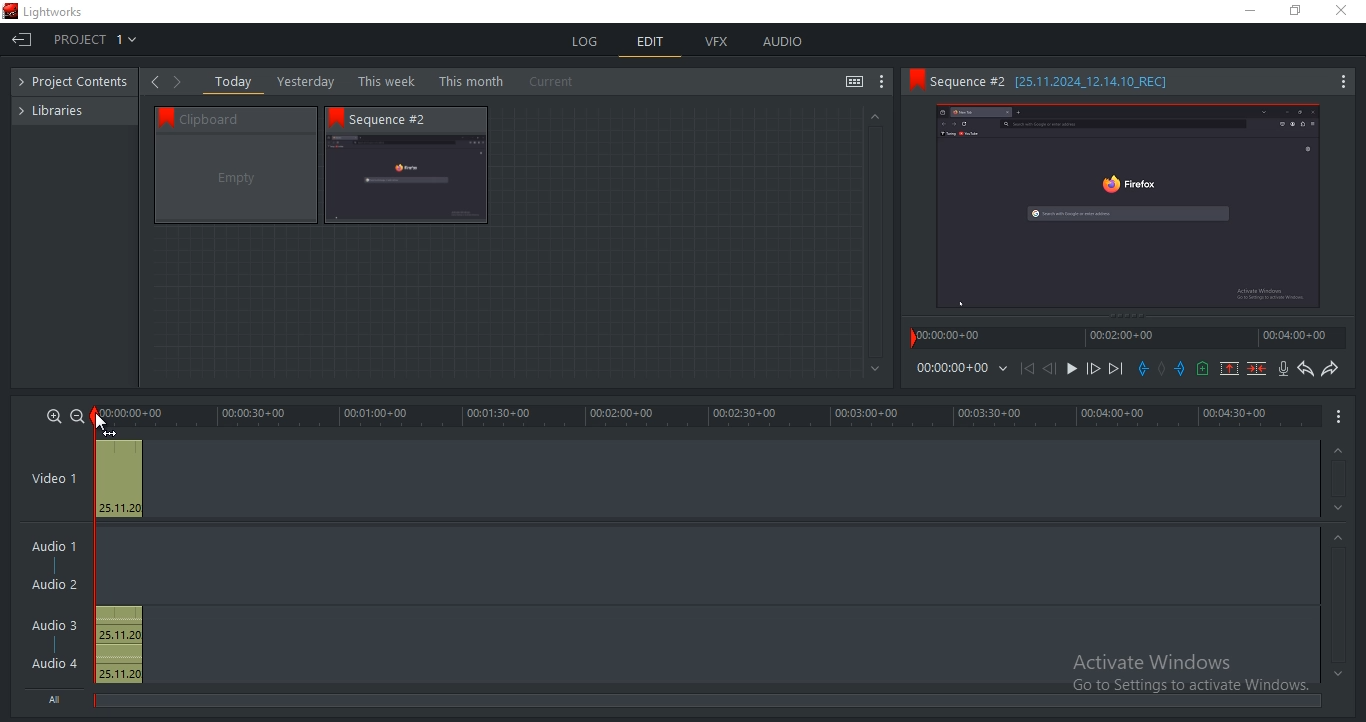 The width and height of the screenshot is (1366, 722). Describe the element at coordinates (1068, 81) in the screenshot. I see `Sequence 2 details` at that location.